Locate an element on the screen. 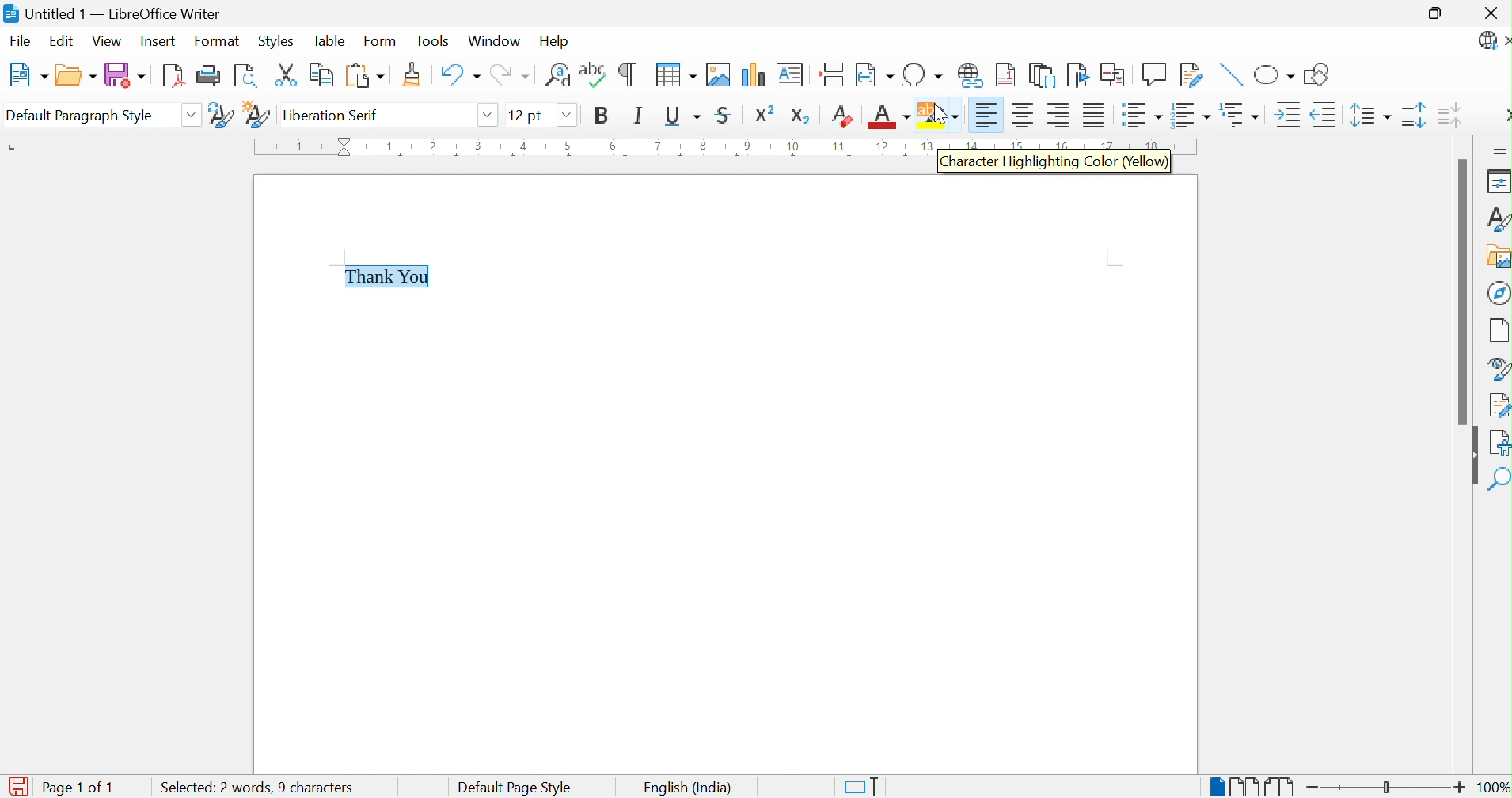 The width and height of the screenshot is (1512, 798). Form is located at coordinates (382, 41).